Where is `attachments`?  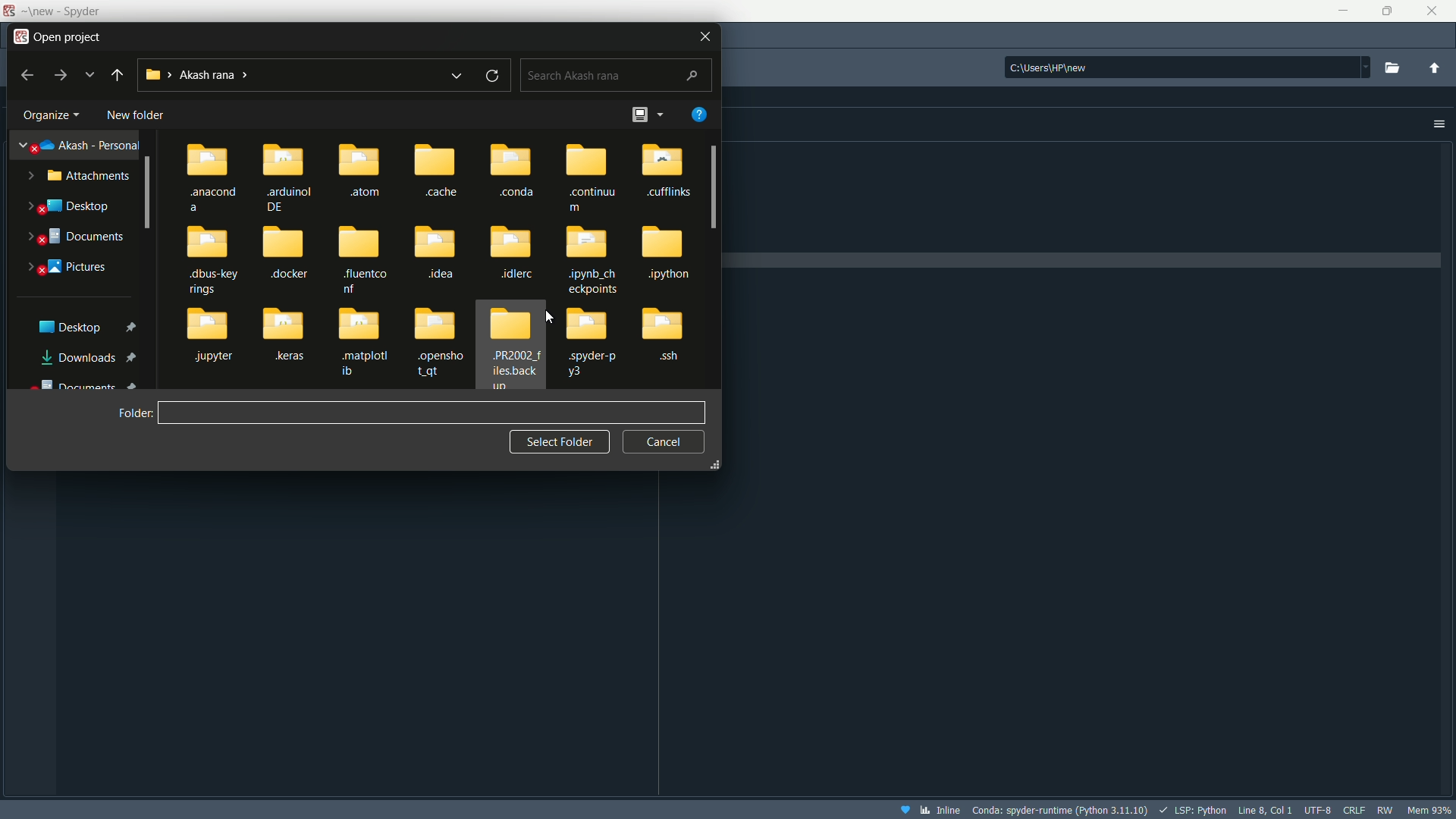
attachments is located at coordinates (79, 178).